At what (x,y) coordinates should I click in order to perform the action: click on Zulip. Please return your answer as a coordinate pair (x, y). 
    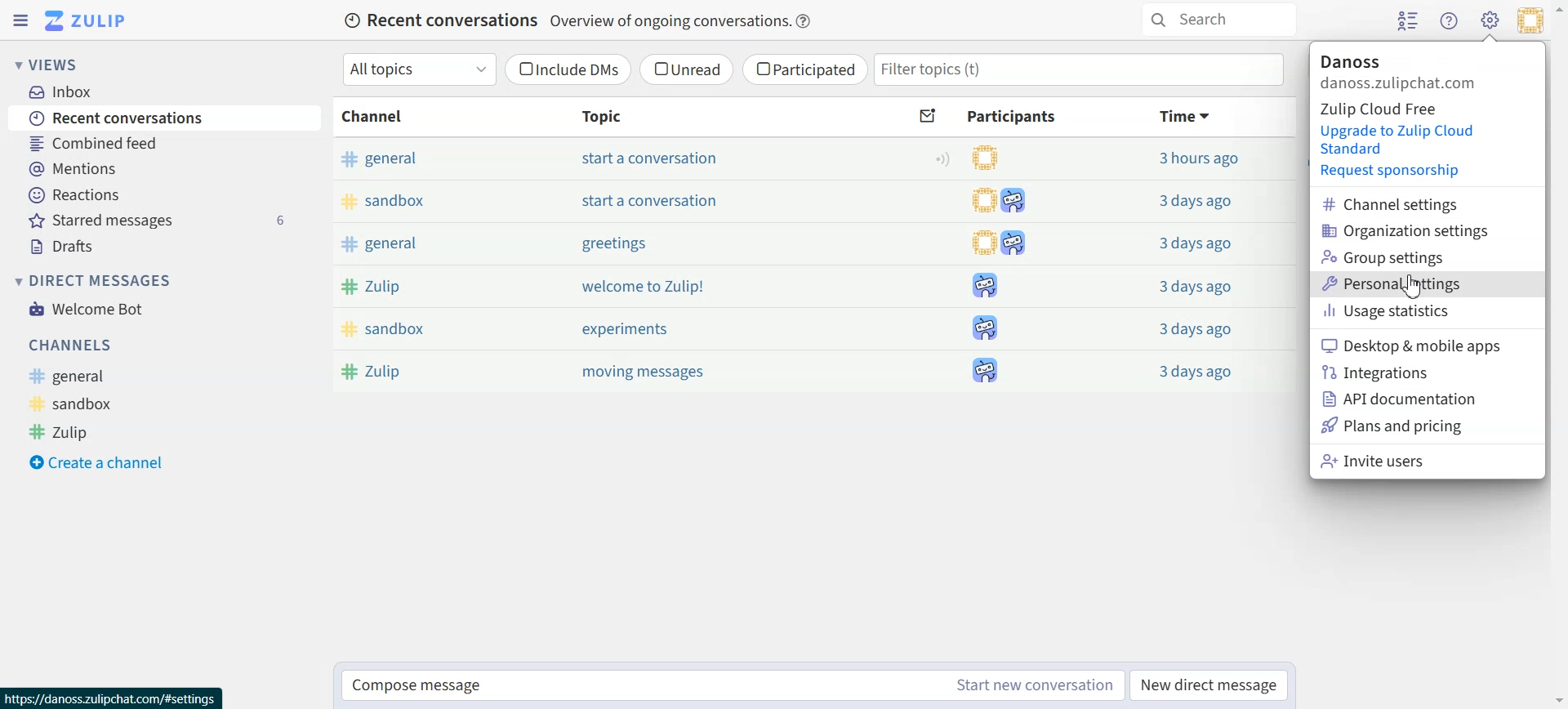
    Looking at the image, I should click on (381, 371).